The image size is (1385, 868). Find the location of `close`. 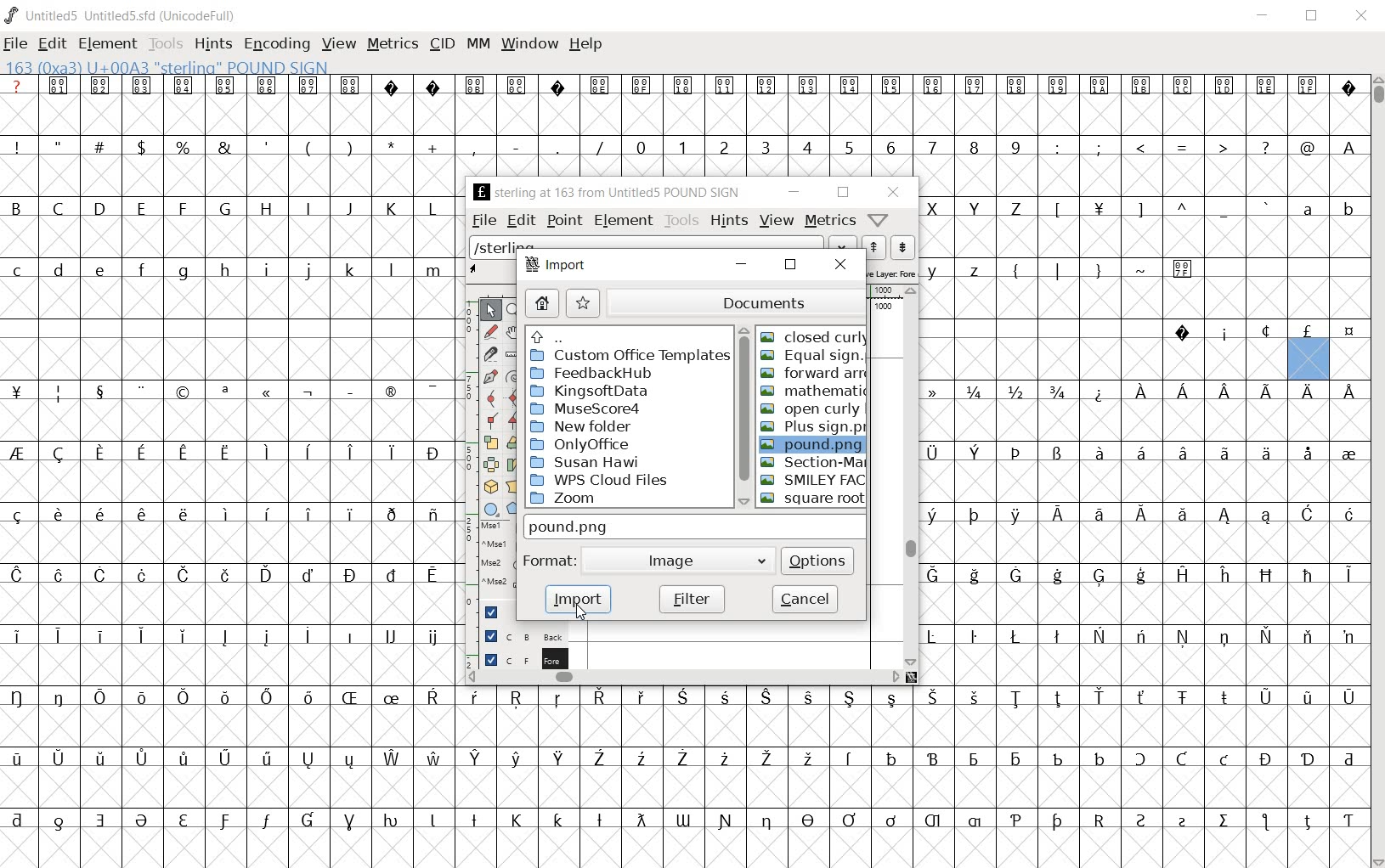

close is located at coordinates (842, 266).